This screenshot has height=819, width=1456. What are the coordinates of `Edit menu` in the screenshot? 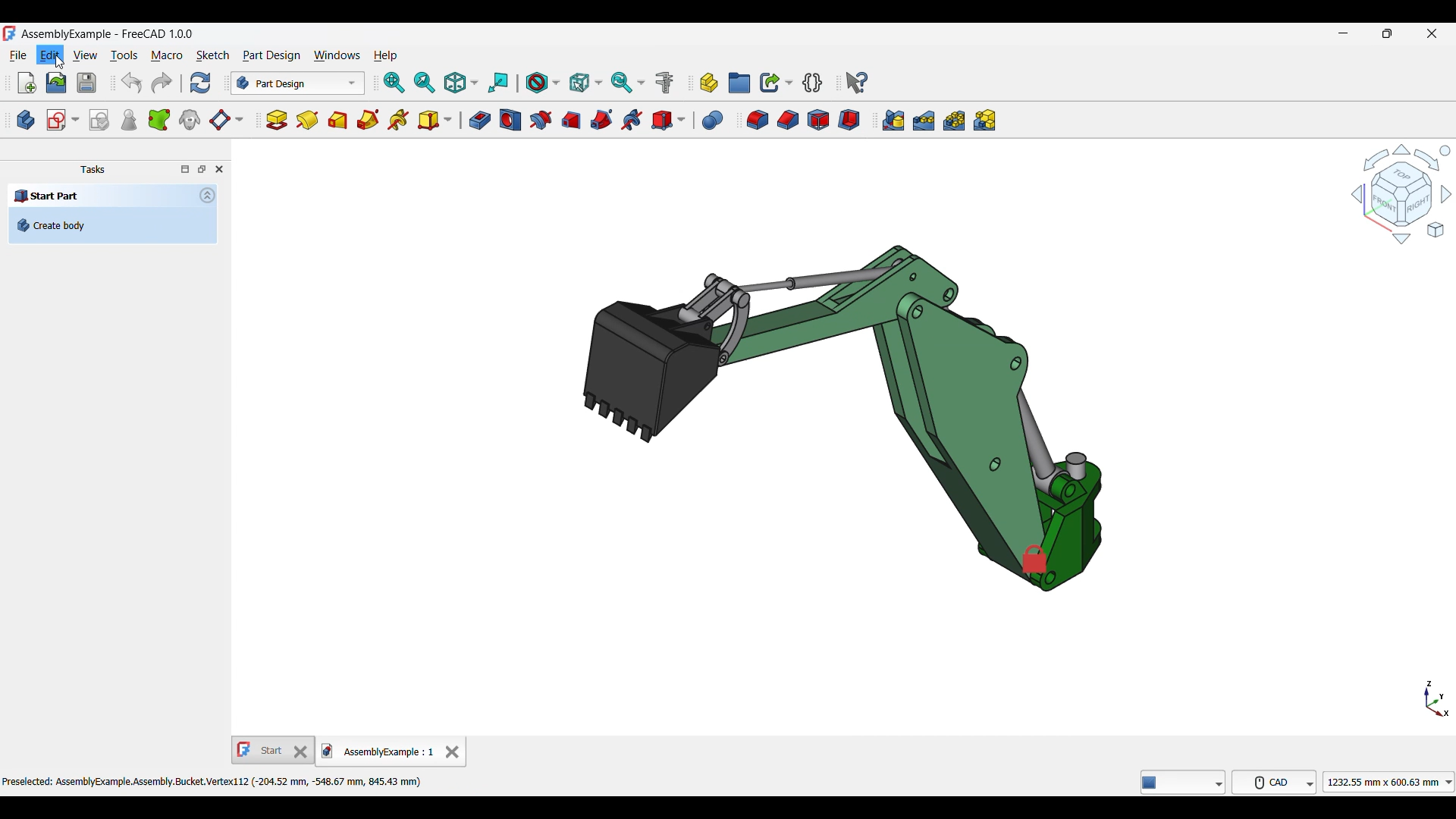 It's located at (49, 55).